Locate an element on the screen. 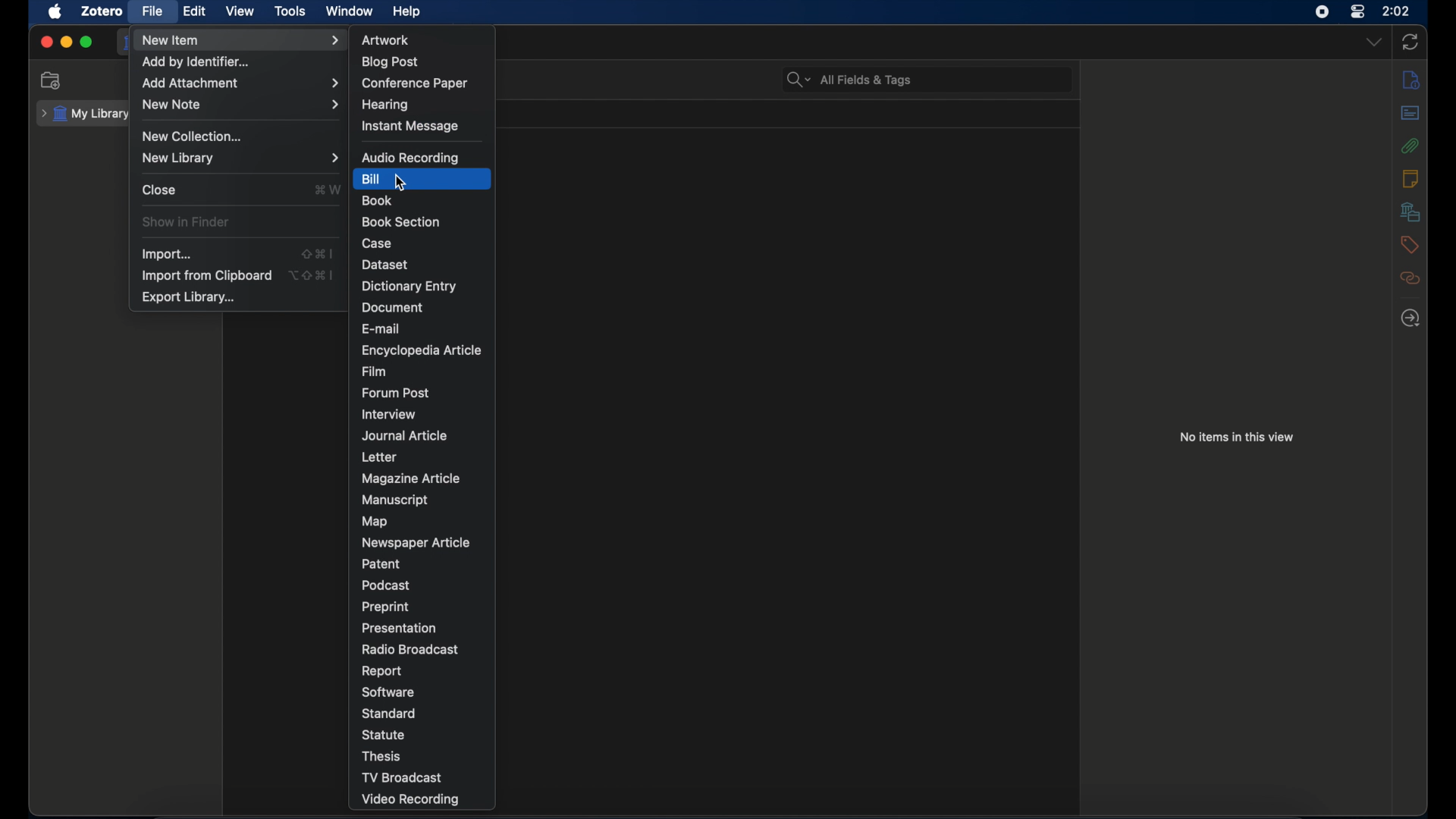  document is located at coordinates (391, 307).